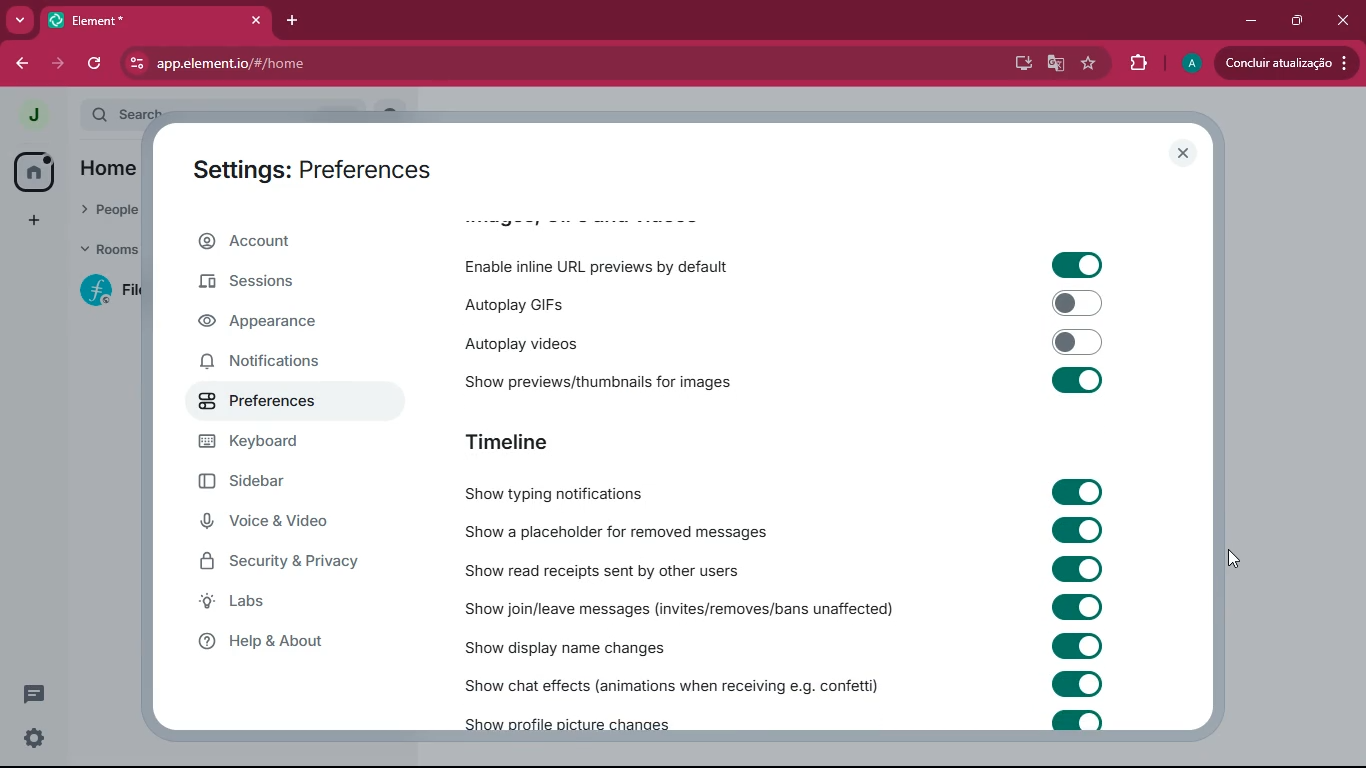 The image size is (1366, 768). Describe the element at coordinates (270, 400) in the screenshot. I see `preferences` at that location.